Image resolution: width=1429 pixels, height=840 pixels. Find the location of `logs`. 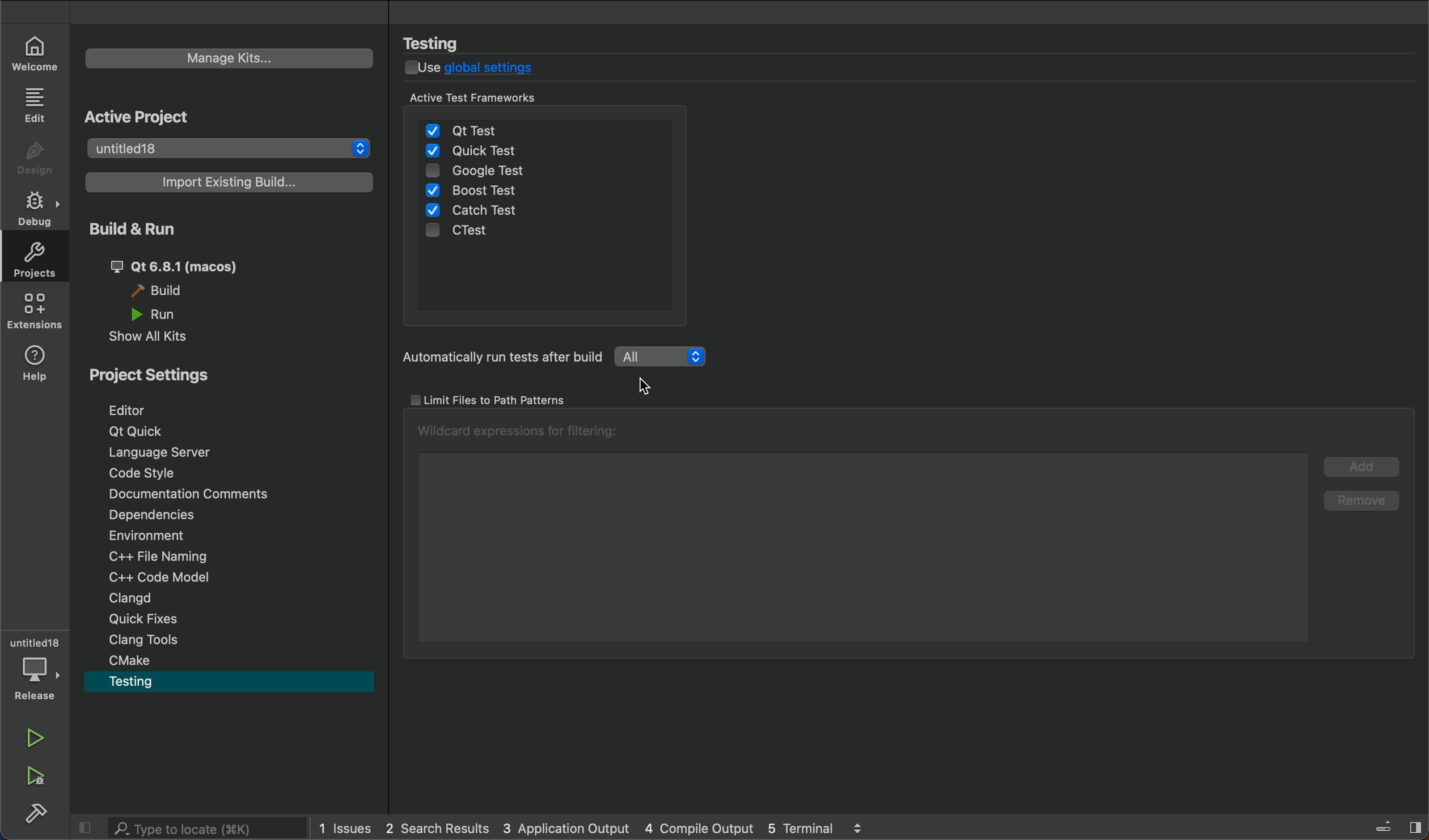

logs is located at coordinates (602, 830).